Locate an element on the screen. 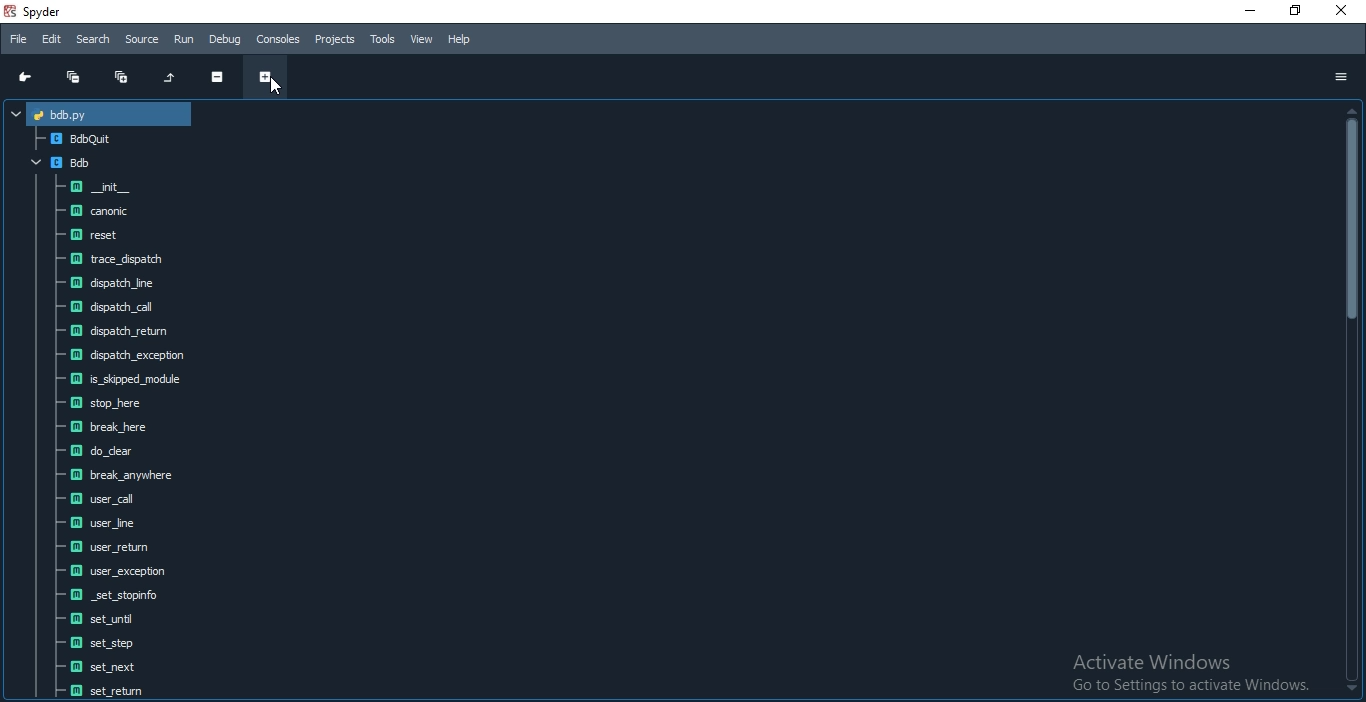 The width and height of the screenshot is (1366, 702). expanded file tree is located at coordinates (135, 412).